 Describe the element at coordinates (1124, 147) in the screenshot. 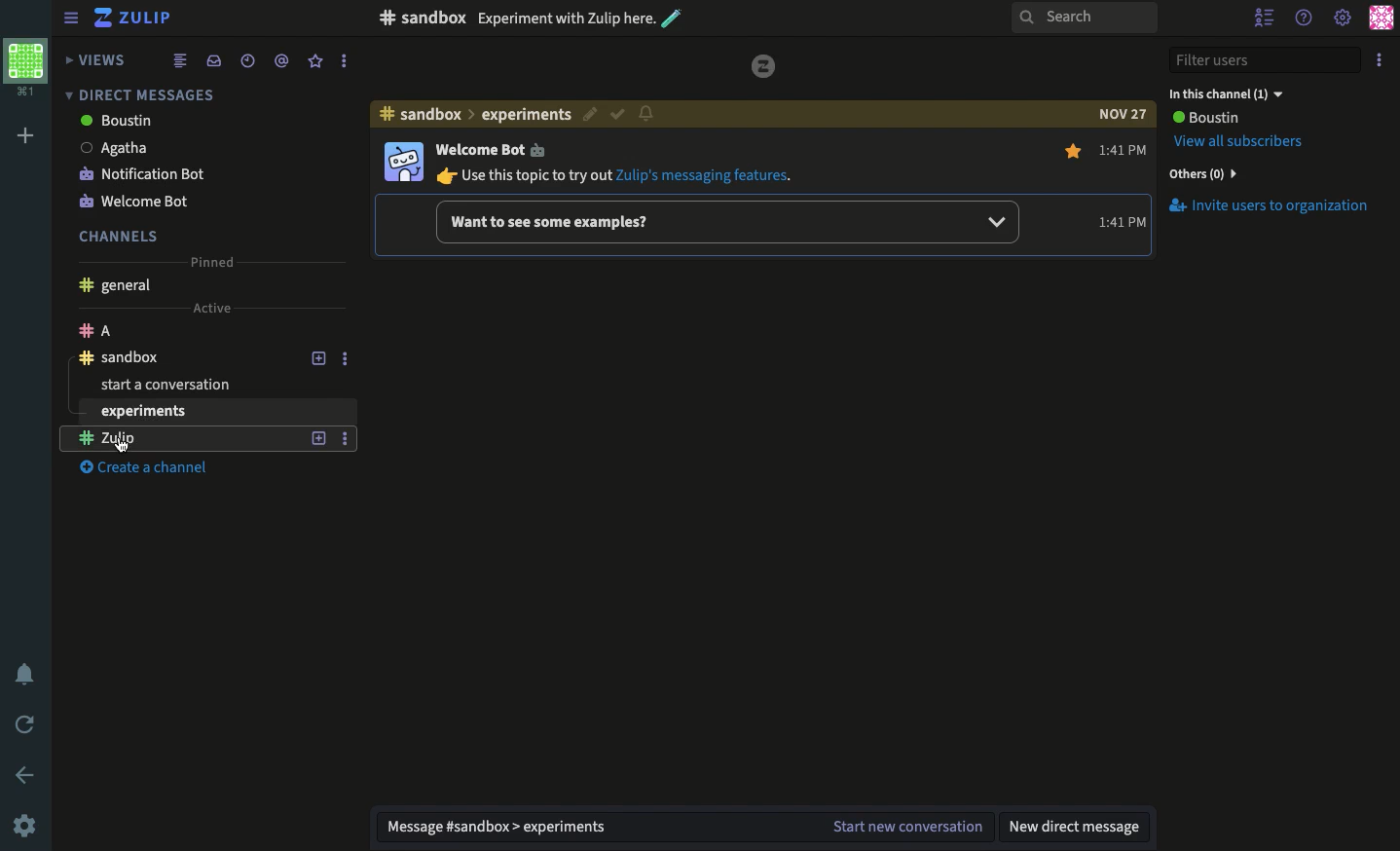

I see `Time` at that location.